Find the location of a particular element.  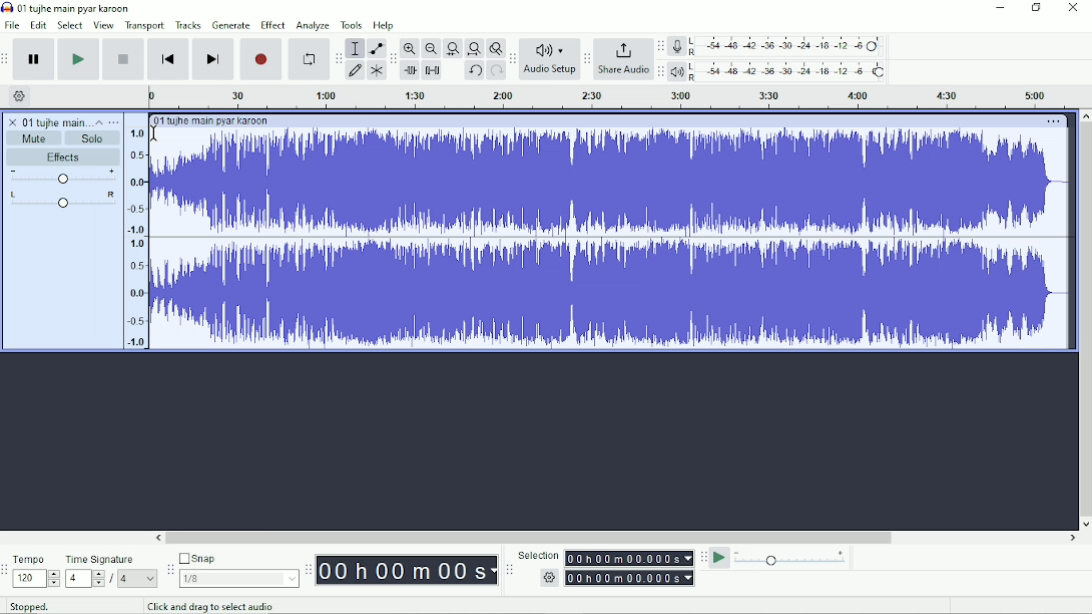

Share Audio is located at coordinates (623, 59).